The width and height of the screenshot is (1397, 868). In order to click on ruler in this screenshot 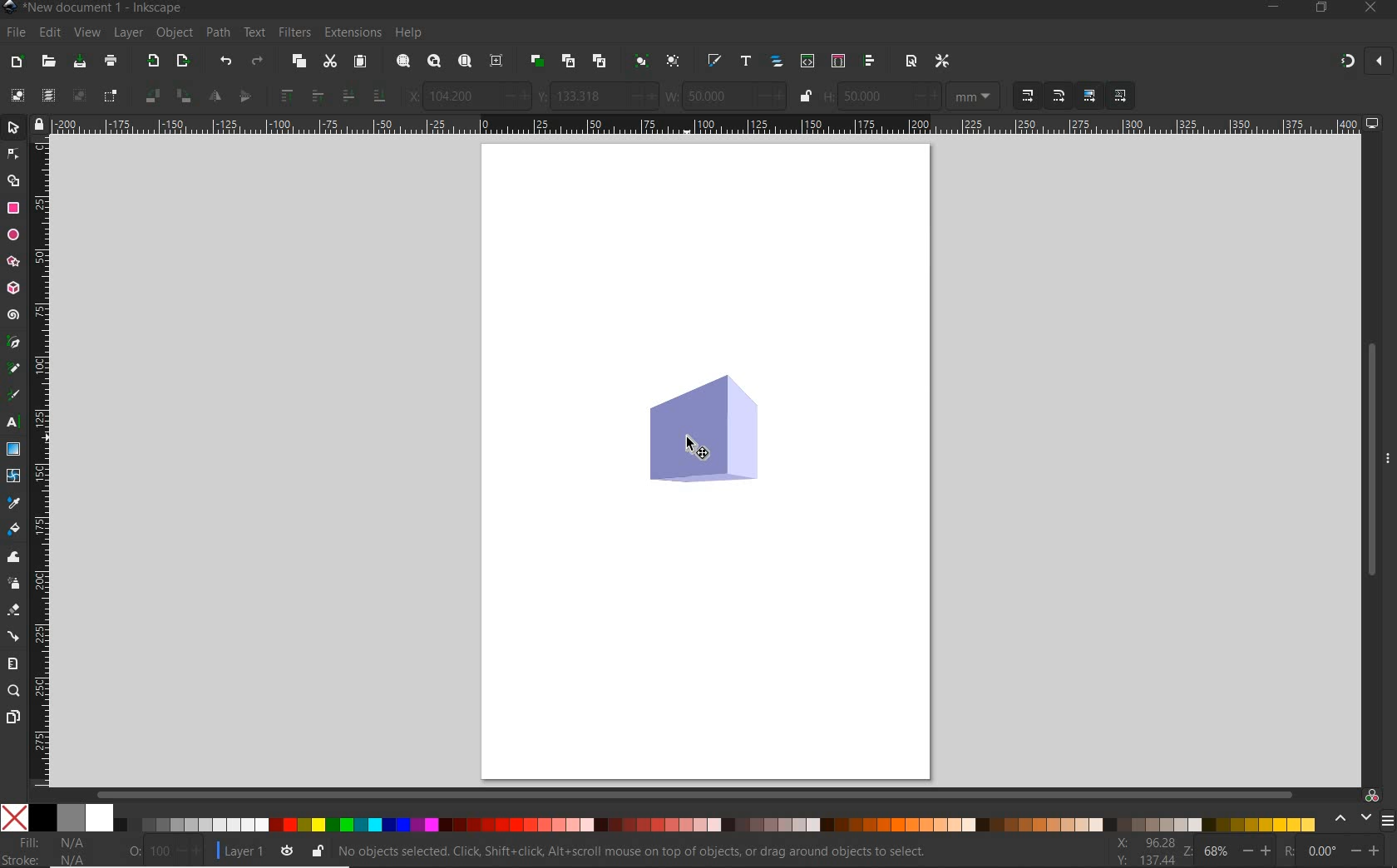, I will do `click(42, 461)`.